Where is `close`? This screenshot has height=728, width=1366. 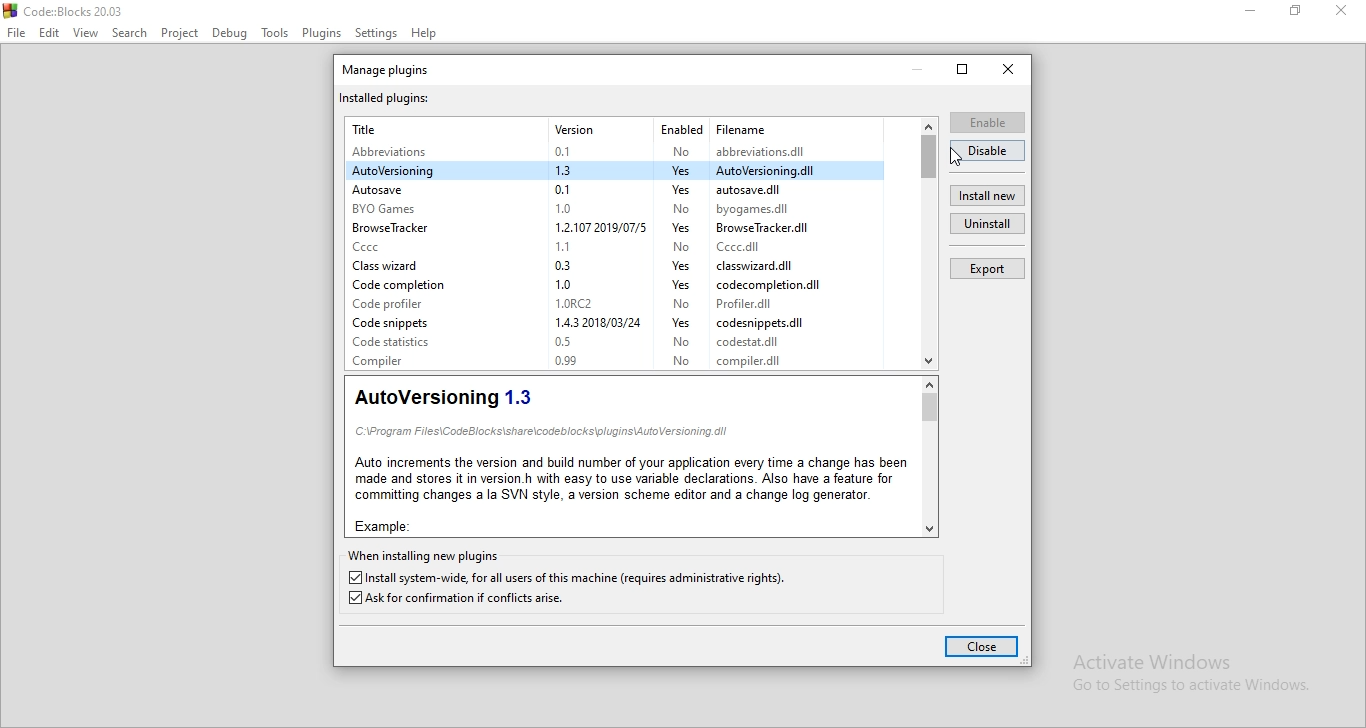 close is located at coordinates (1339, 12).